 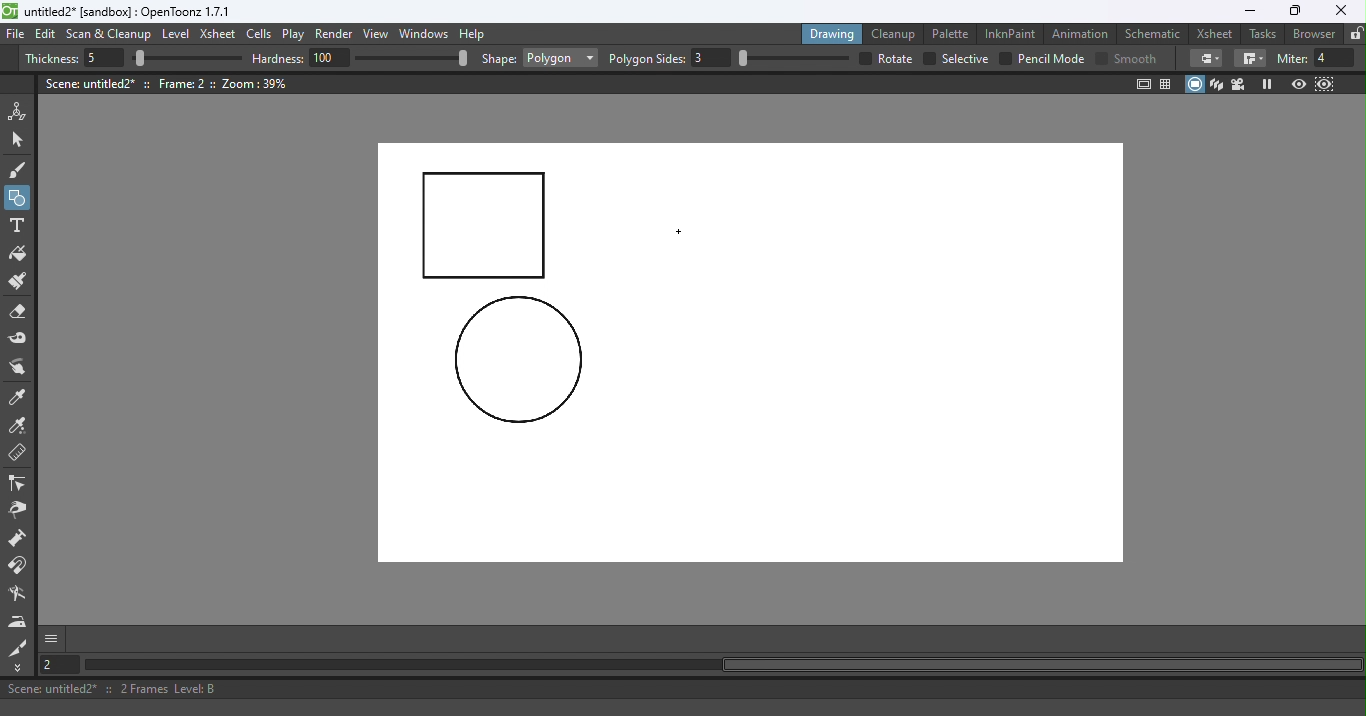 What do you see at coordinates (129, 12) in the screenshot?
I see `File name` at bounding box center [129, 12].